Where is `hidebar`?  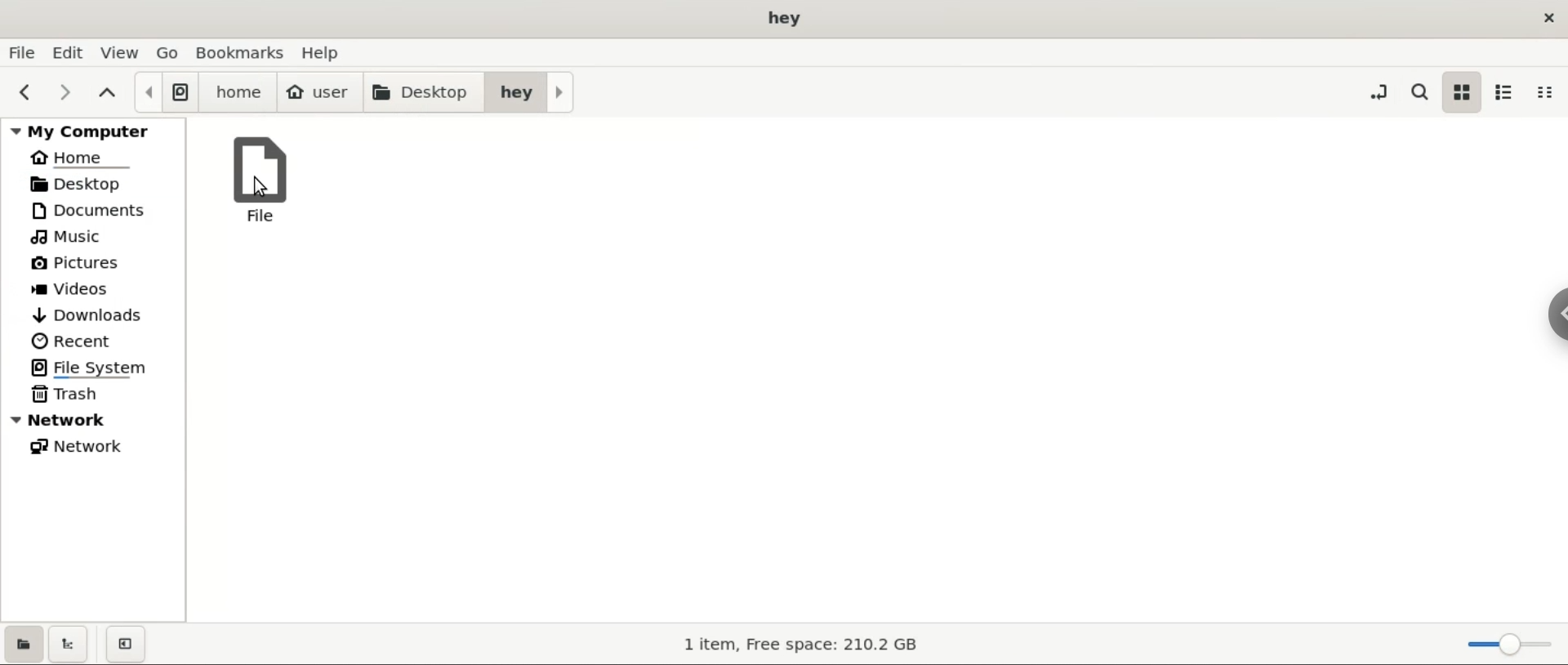
hidebar is located at coordinates (1553, 317).